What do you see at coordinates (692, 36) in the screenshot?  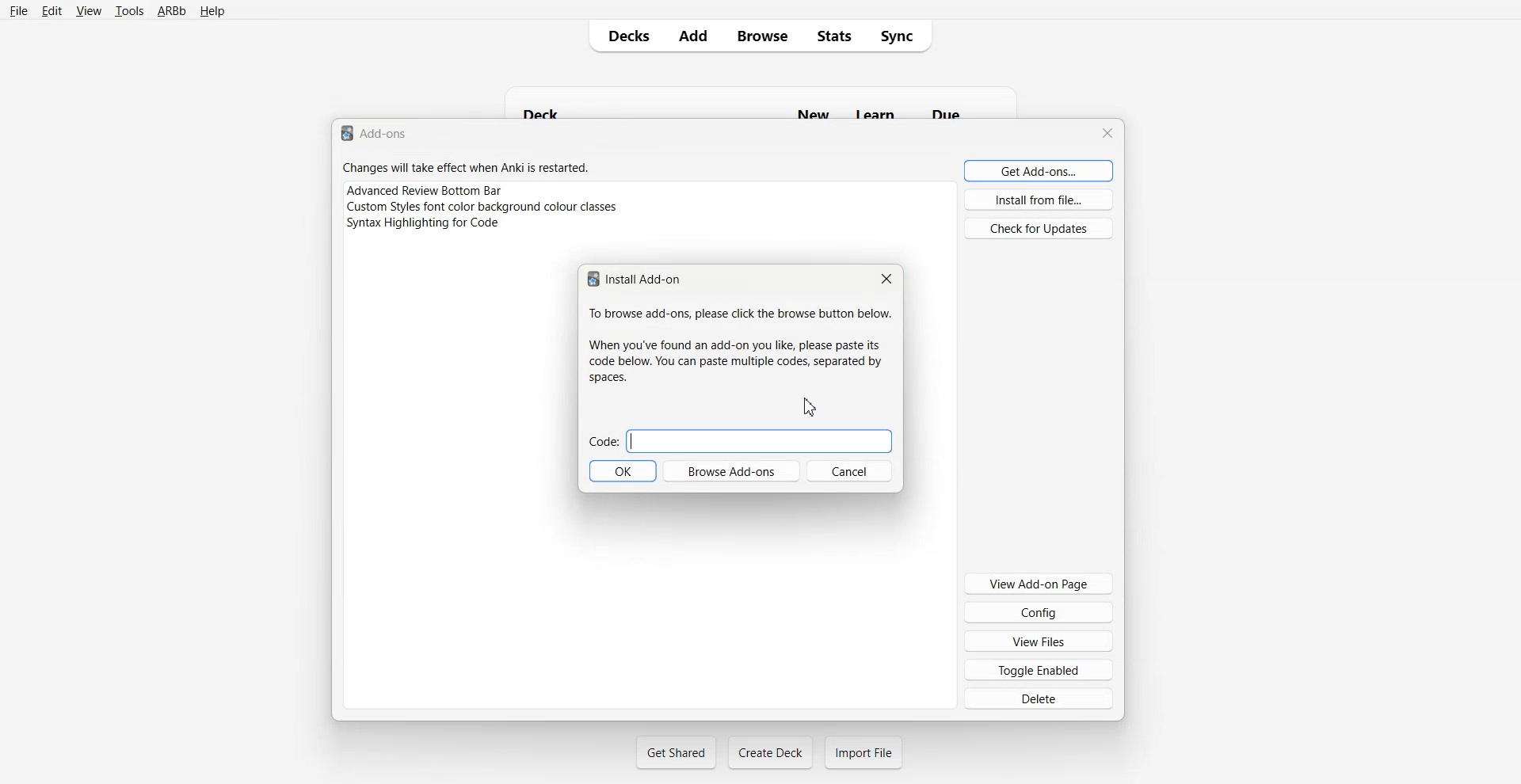 I see `Add` at bounding box center [692, 36].